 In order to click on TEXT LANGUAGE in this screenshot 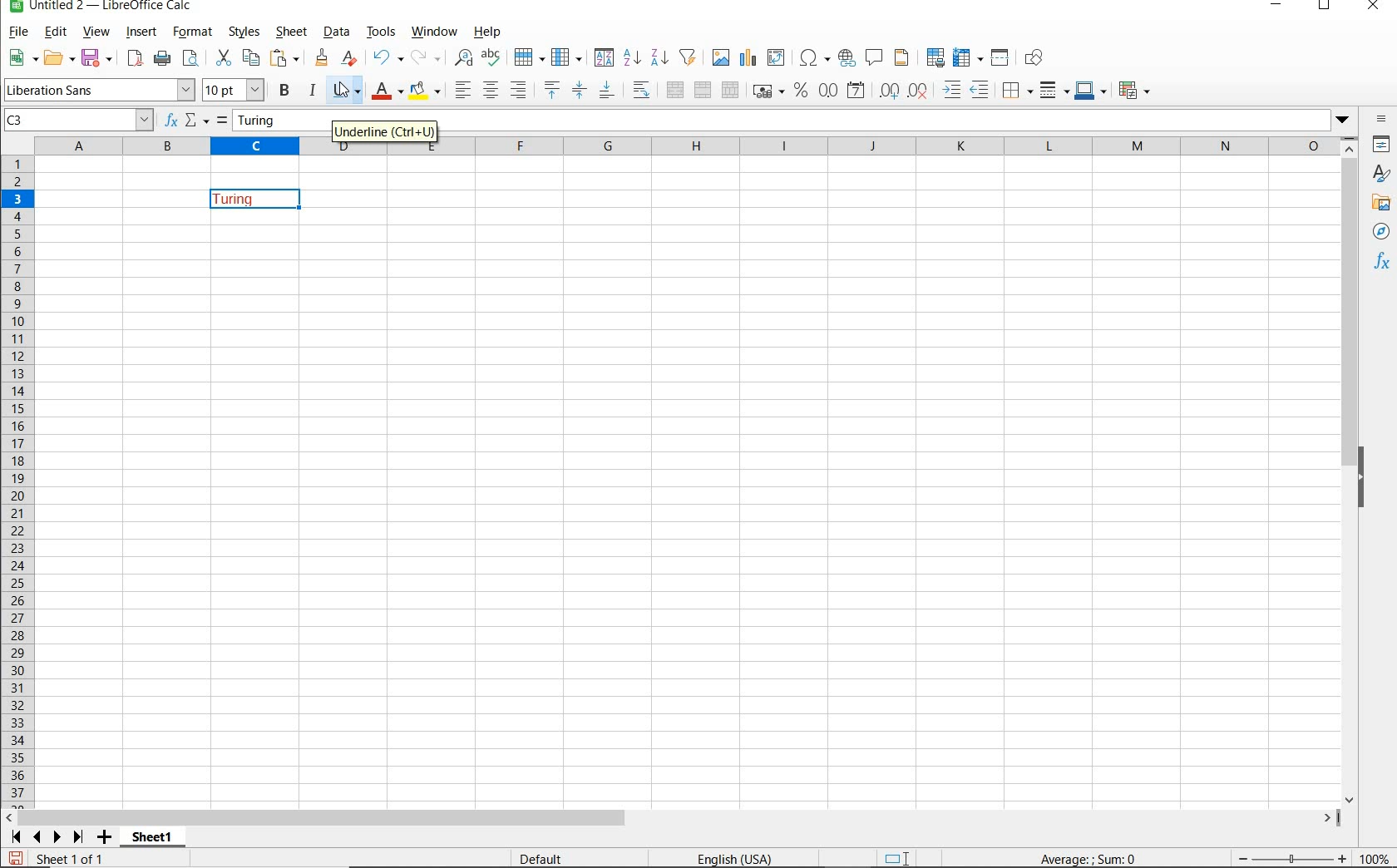, I will do `click(729, 859)`.